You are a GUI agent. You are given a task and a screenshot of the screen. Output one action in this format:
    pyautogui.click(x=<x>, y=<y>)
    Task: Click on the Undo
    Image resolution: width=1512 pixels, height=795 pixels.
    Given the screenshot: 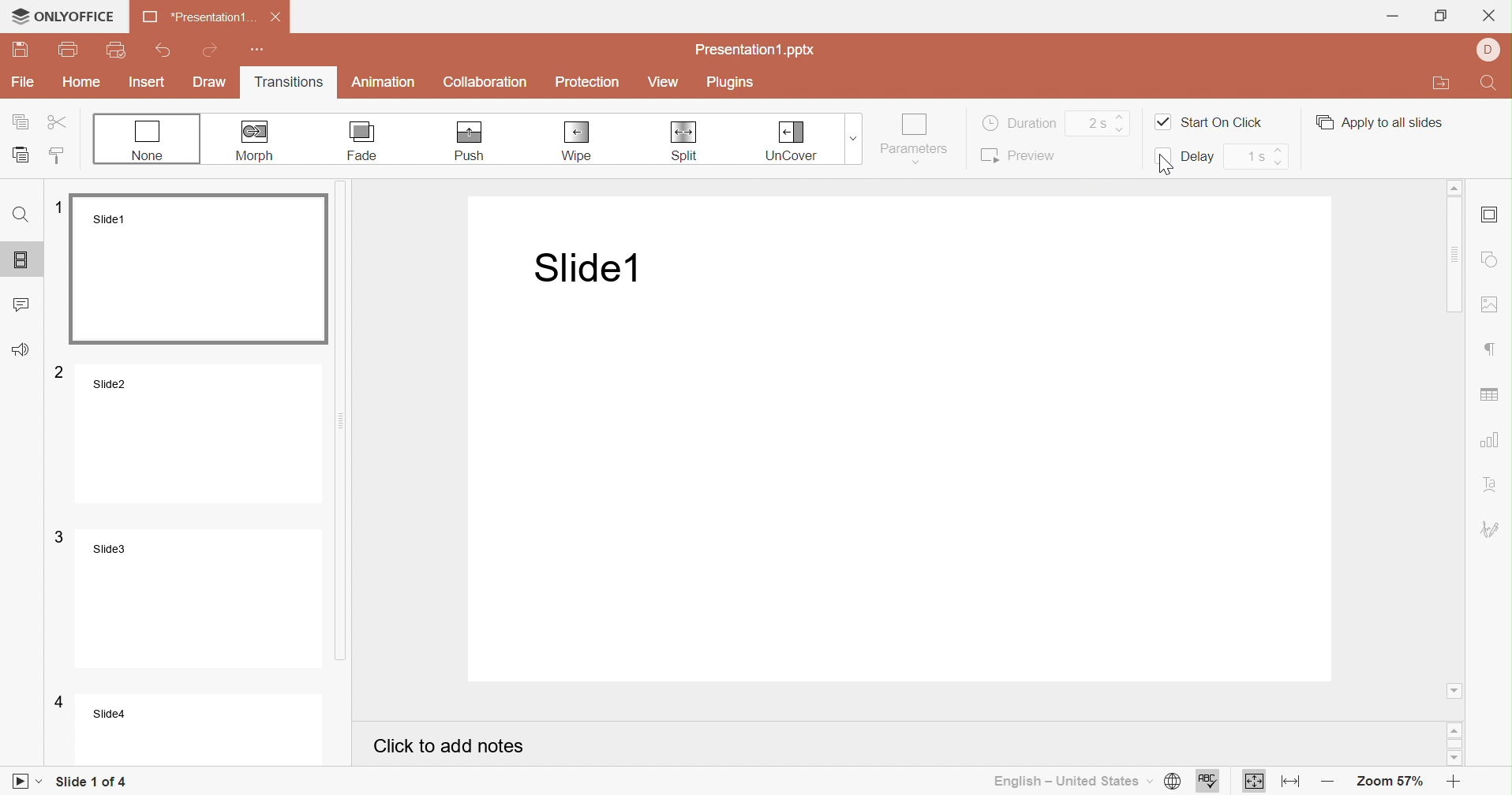 What is the action you would take?
    pyautogui.click(x=166, y=47)
    